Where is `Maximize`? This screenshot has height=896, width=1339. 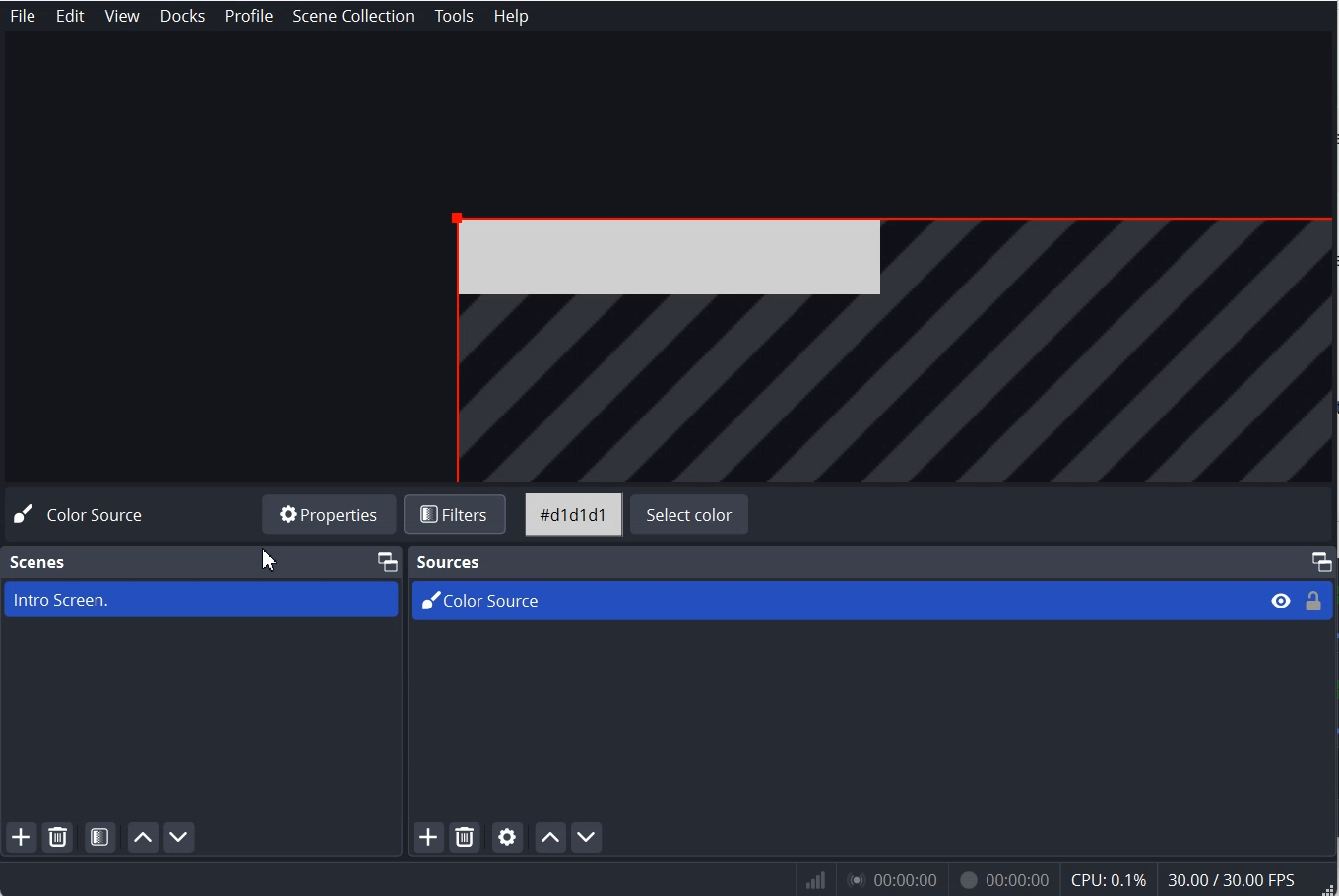
Maximize is located at coordinates (1321, 561).